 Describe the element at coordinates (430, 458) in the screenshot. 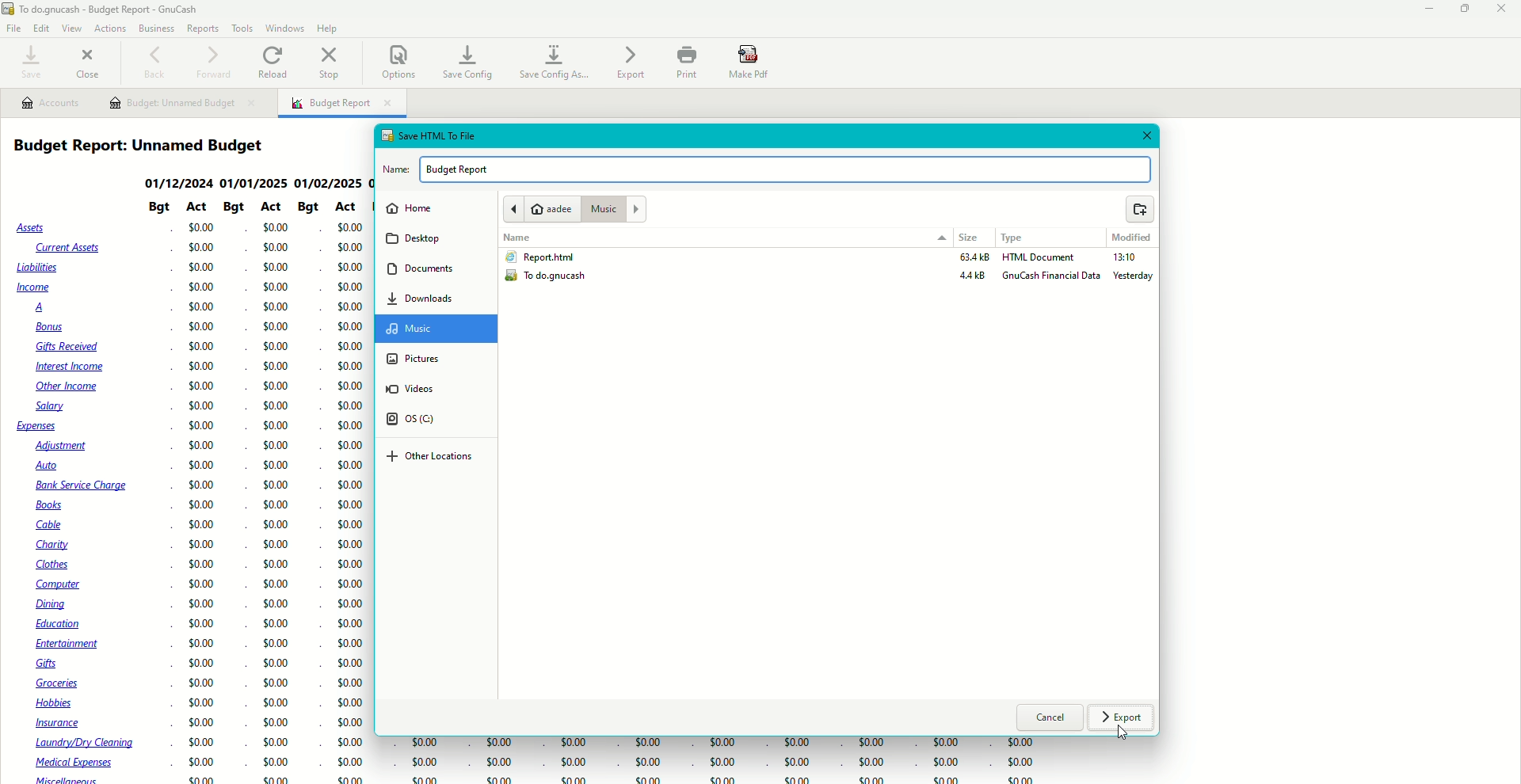

I see `Other Locations` at that location.